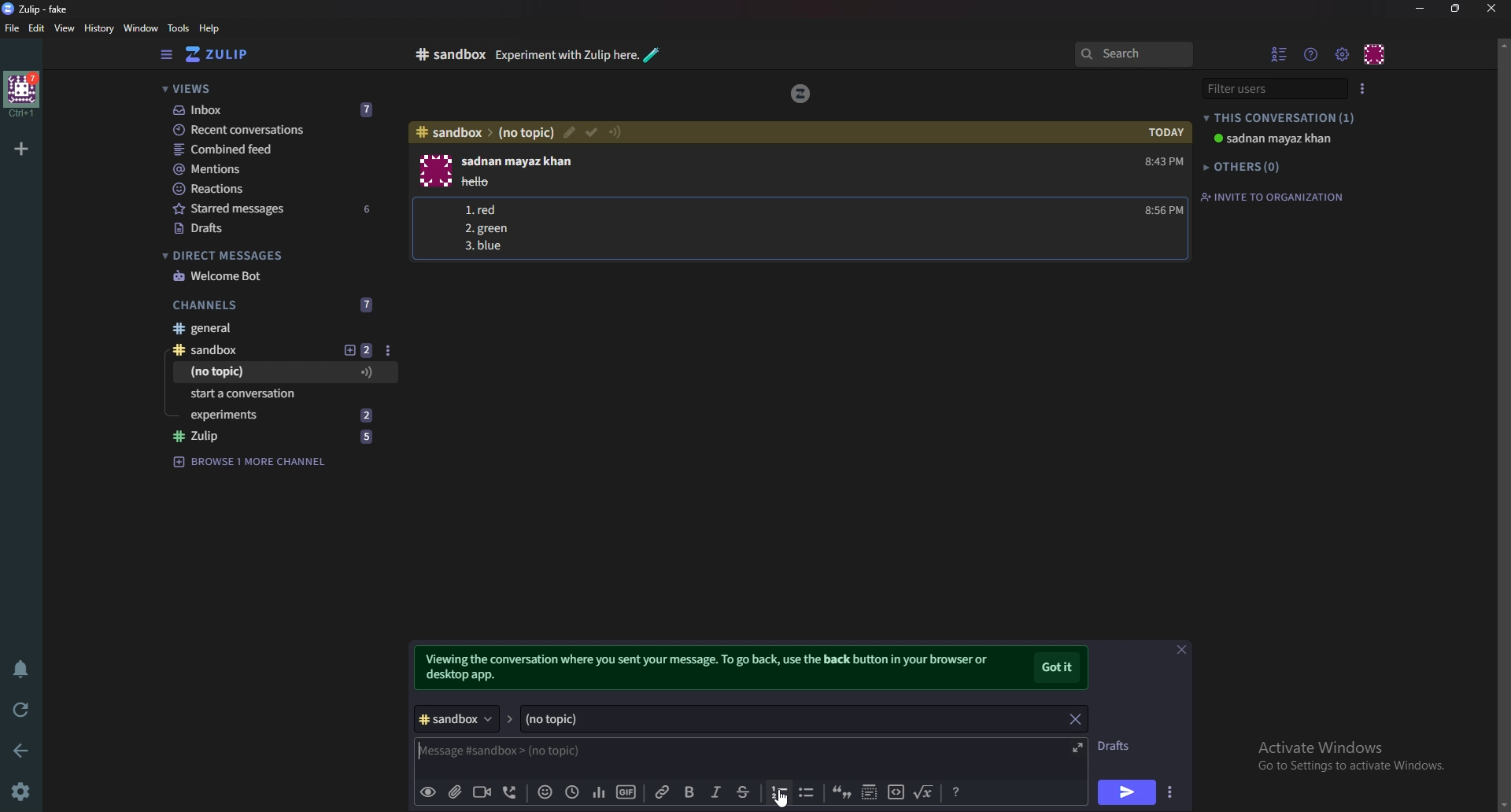 This screenshot has width=1511, height=812. I want to click on Edit, so click(38, 28).